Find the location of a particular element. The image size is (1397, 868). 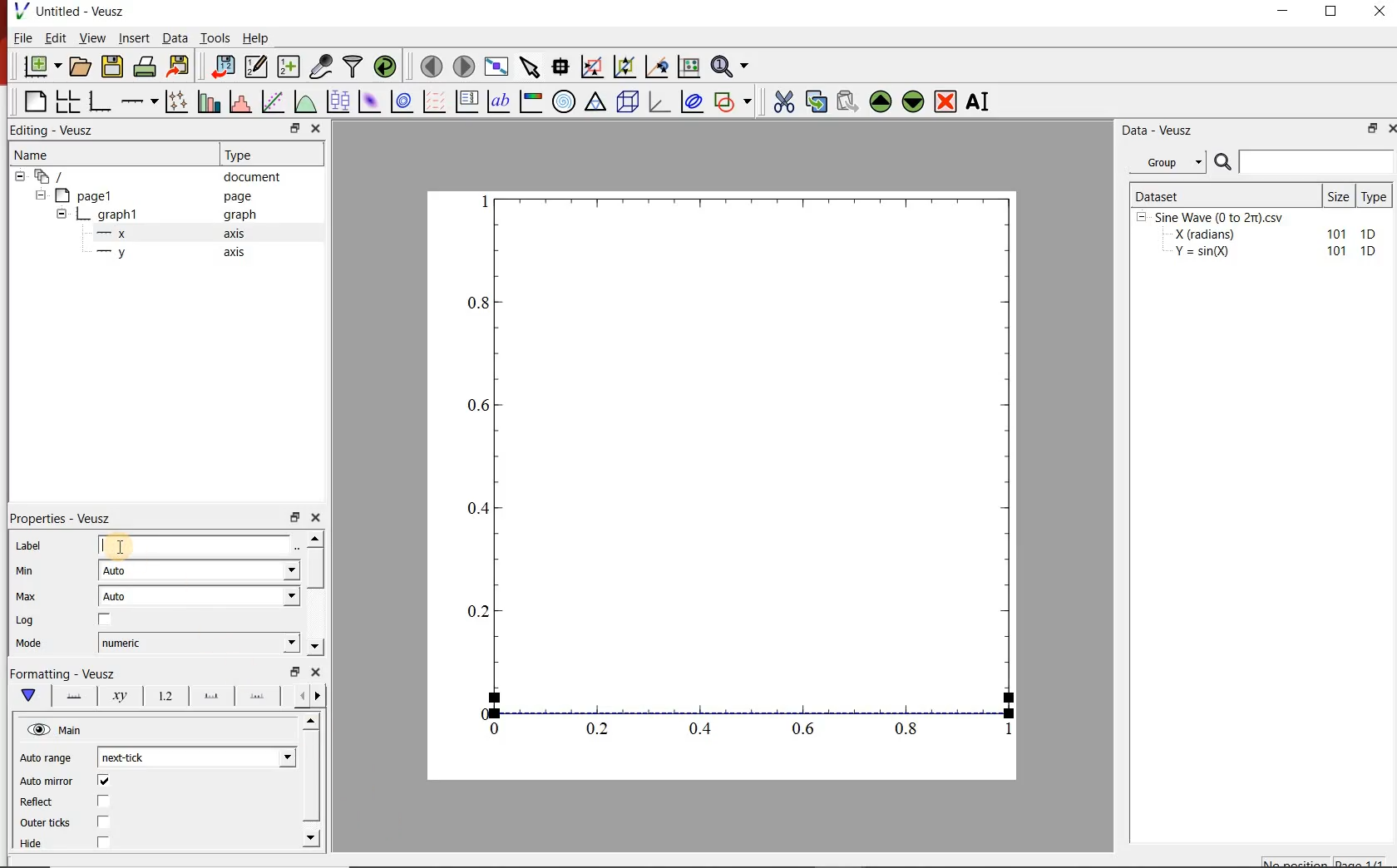

Outer ticks is located at coordinates (45, 822).